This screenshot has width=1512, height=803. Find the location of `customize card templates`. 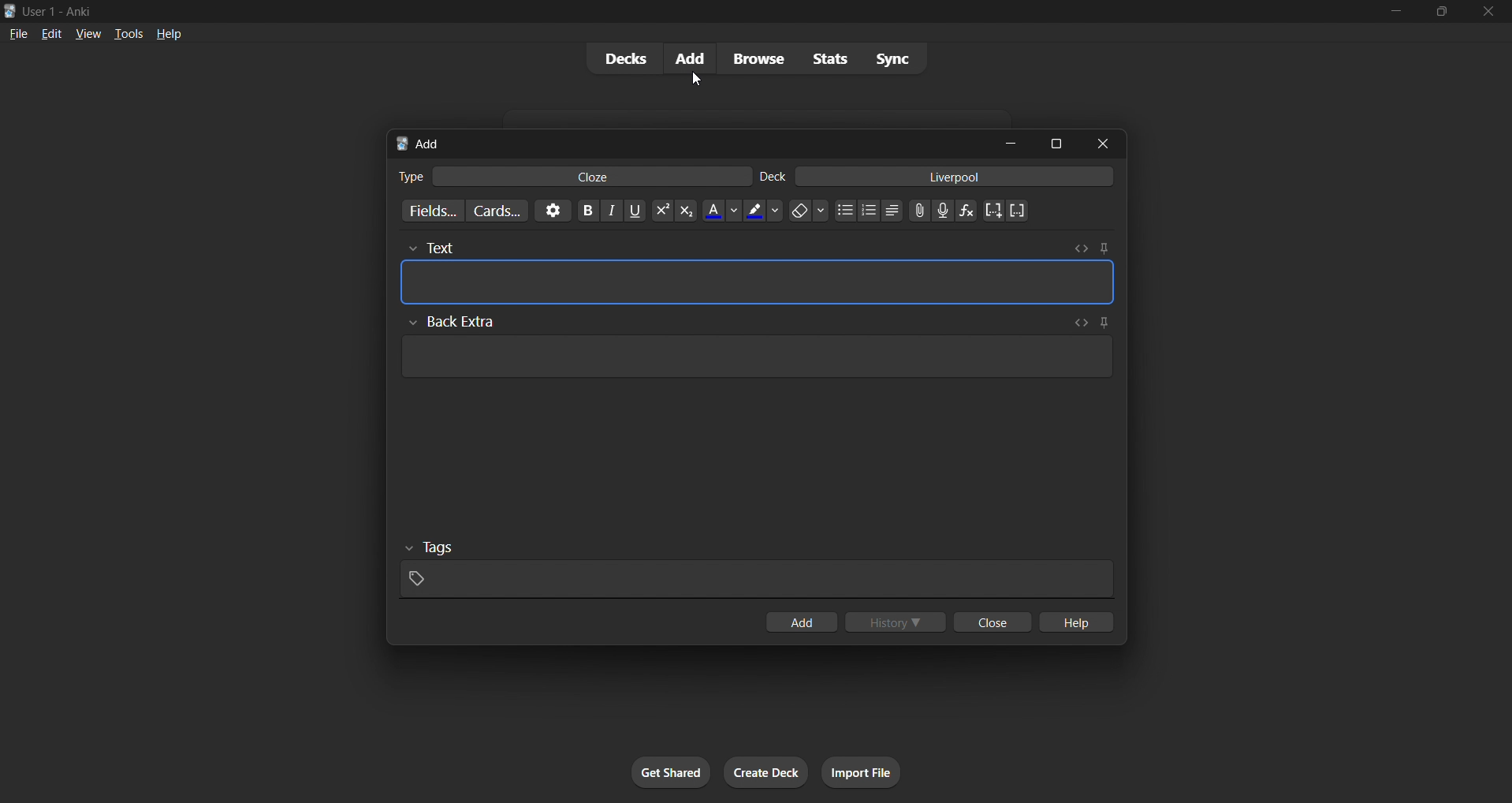

customize card templates is located at coordinates (504, 211).